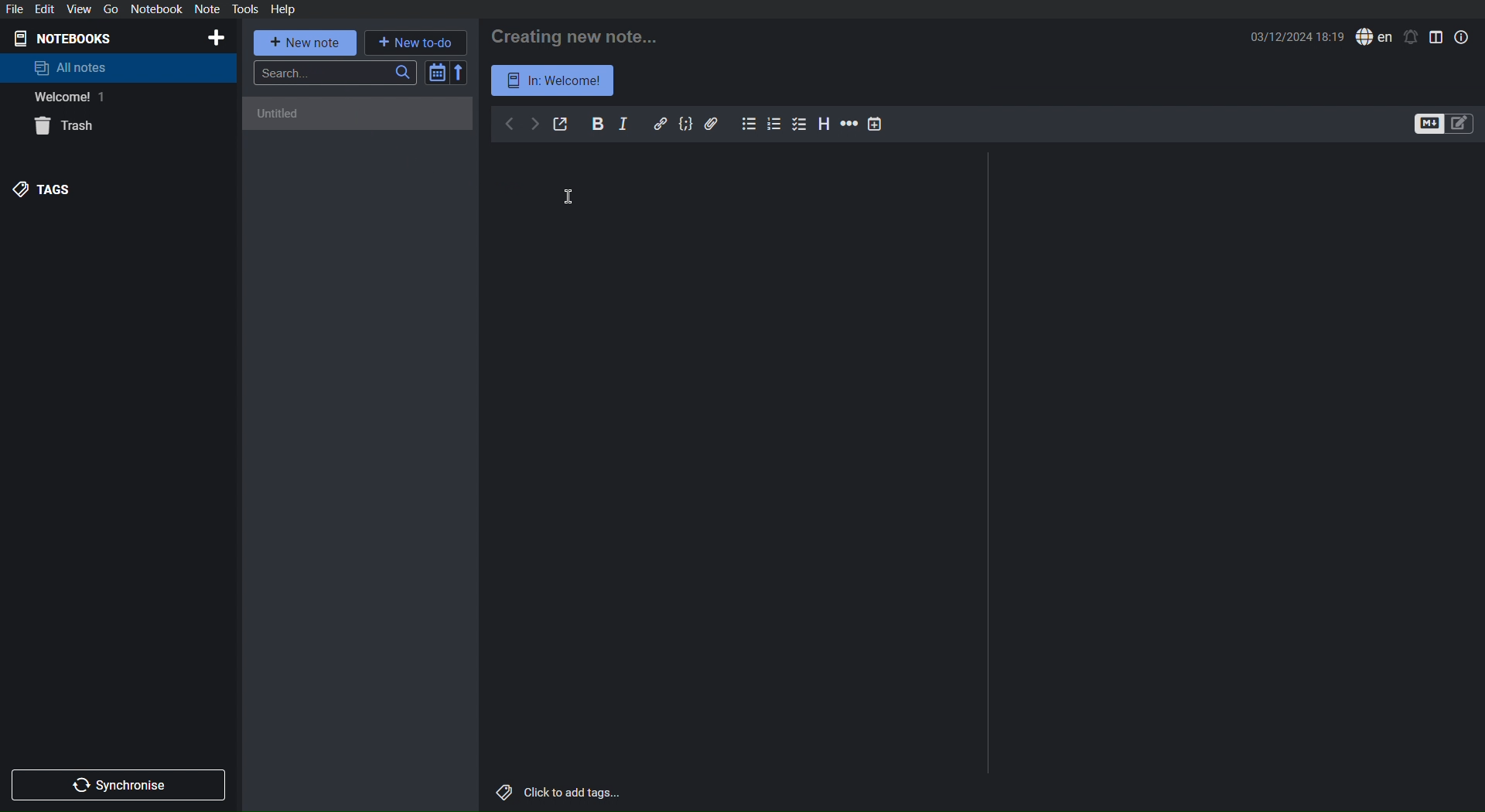  What do you see at coordinates (598, 123) in the screenshot?
I see `Bold` at bounding box center [598, 123].